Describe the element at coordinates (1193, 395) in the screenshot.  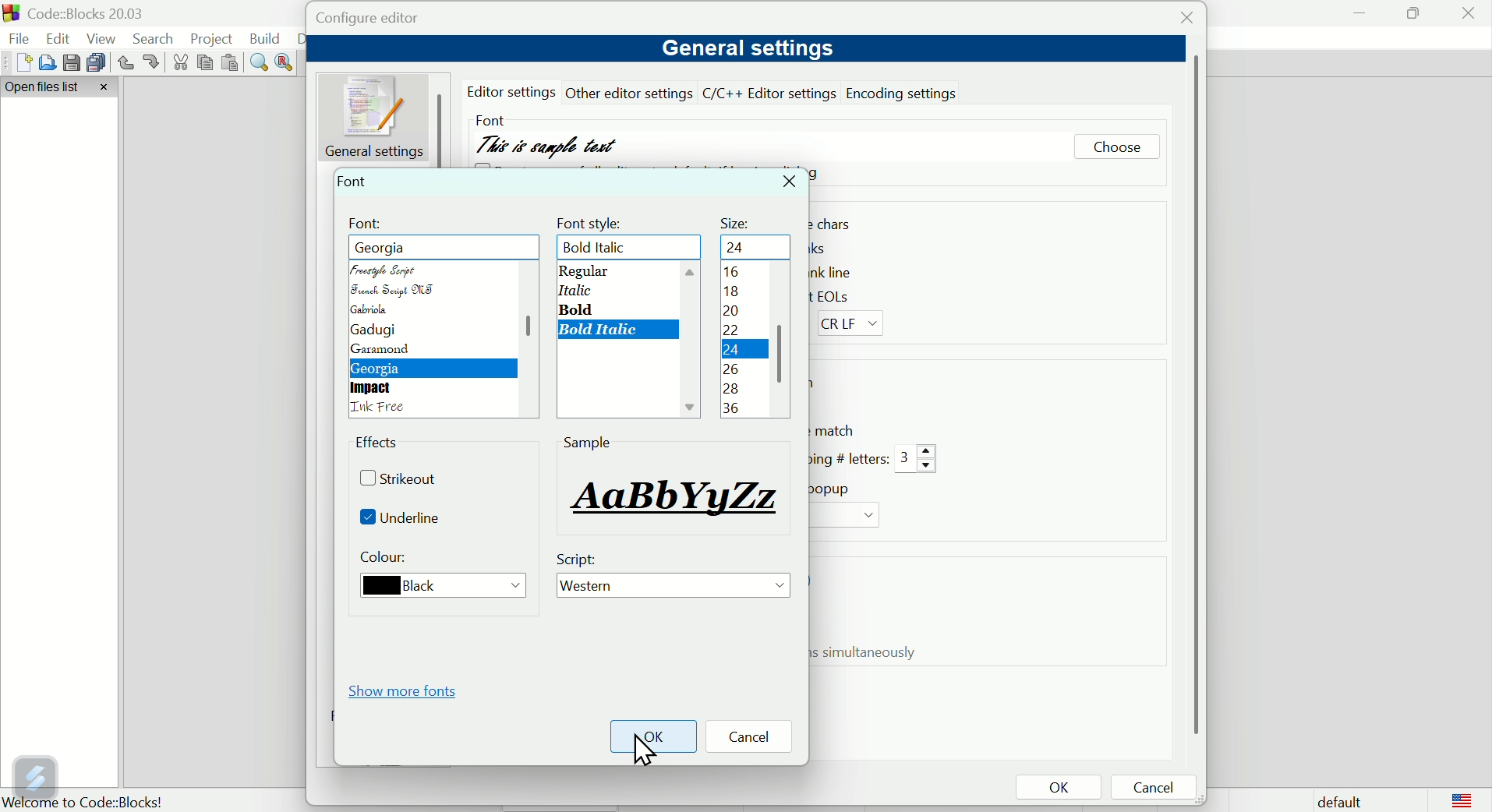
I see `scroll bar` at that location.